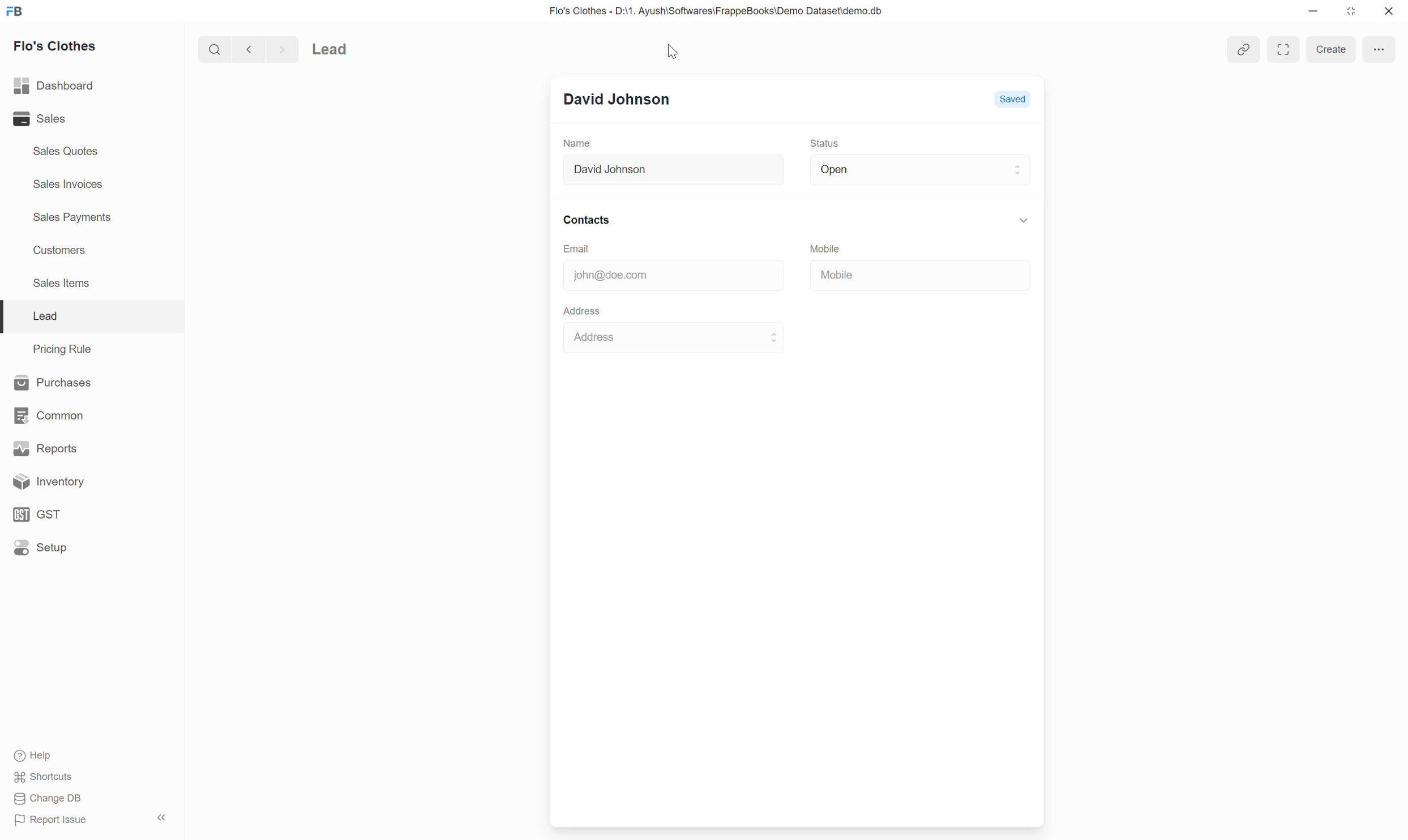  Describe the element at coordinates (1387, 11) in the screenshot. I see `close` at that location.